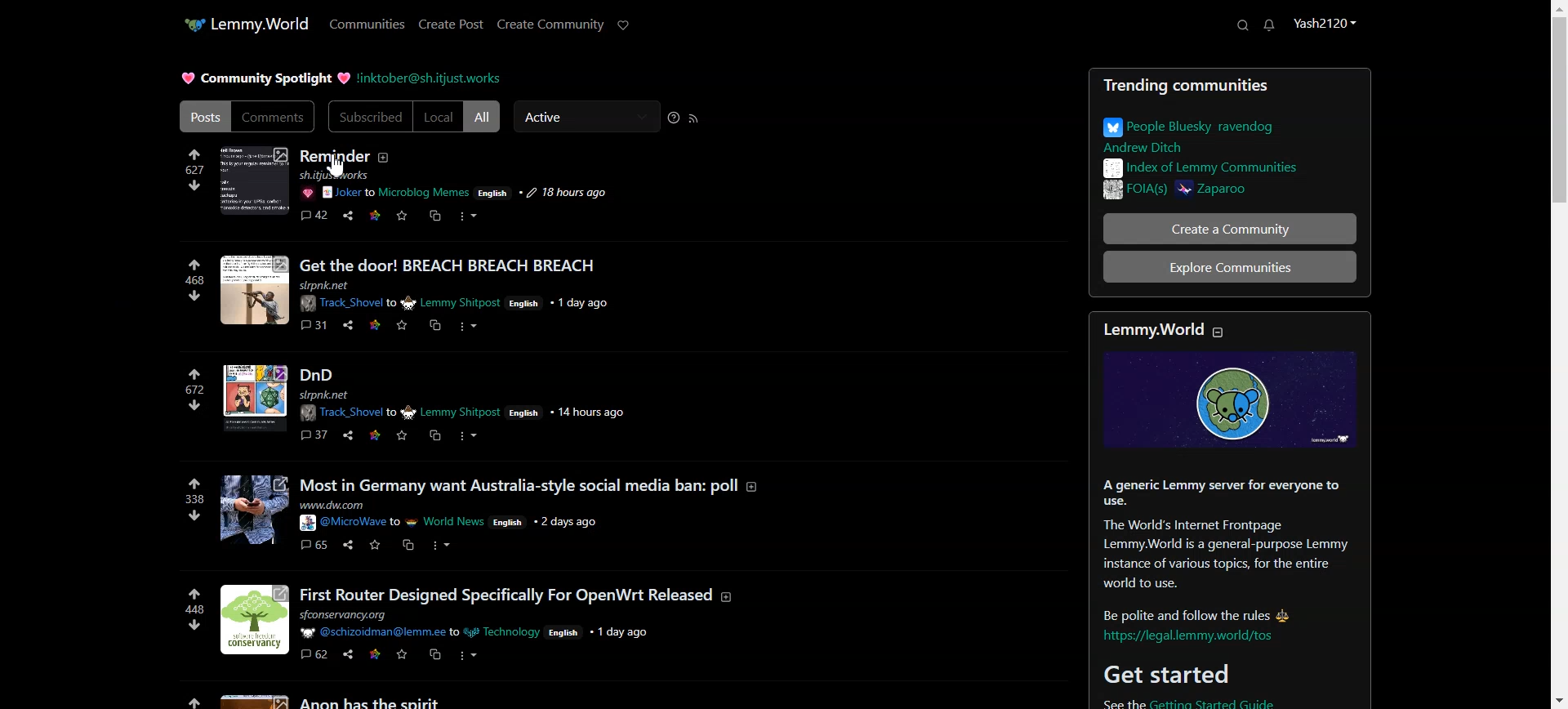 The image size is (1568, 709). Describe the element at coordinates (586, 116) in the screenshot. I see `Active` at that location.